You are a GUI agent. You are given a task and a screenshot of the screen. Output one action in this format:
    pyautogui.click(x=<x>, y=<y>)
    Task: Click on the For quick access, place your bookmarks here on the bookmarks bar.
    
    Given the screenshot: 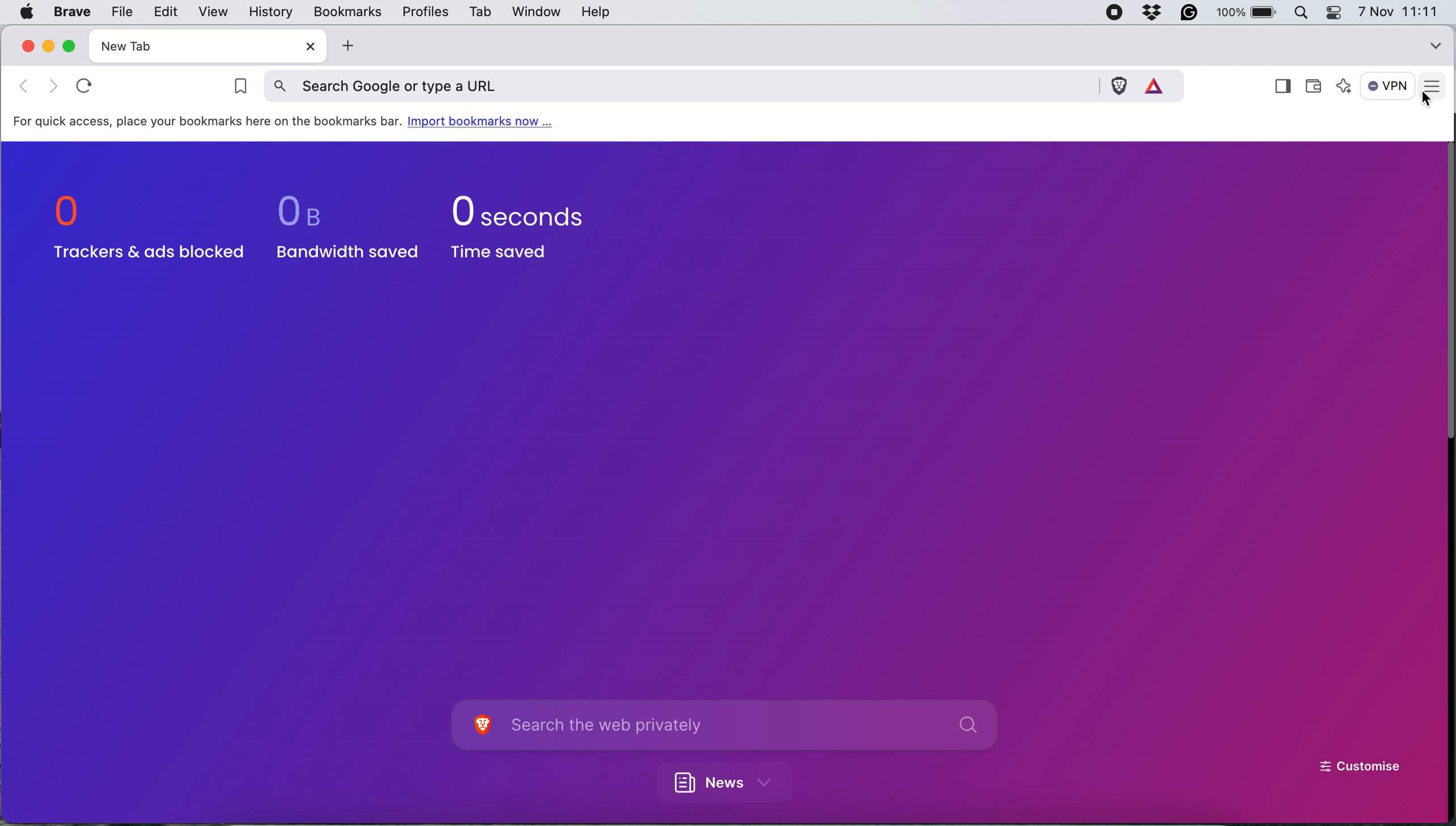 What is the action you would take?
    pyautogui.click(x=207, y=121)
    